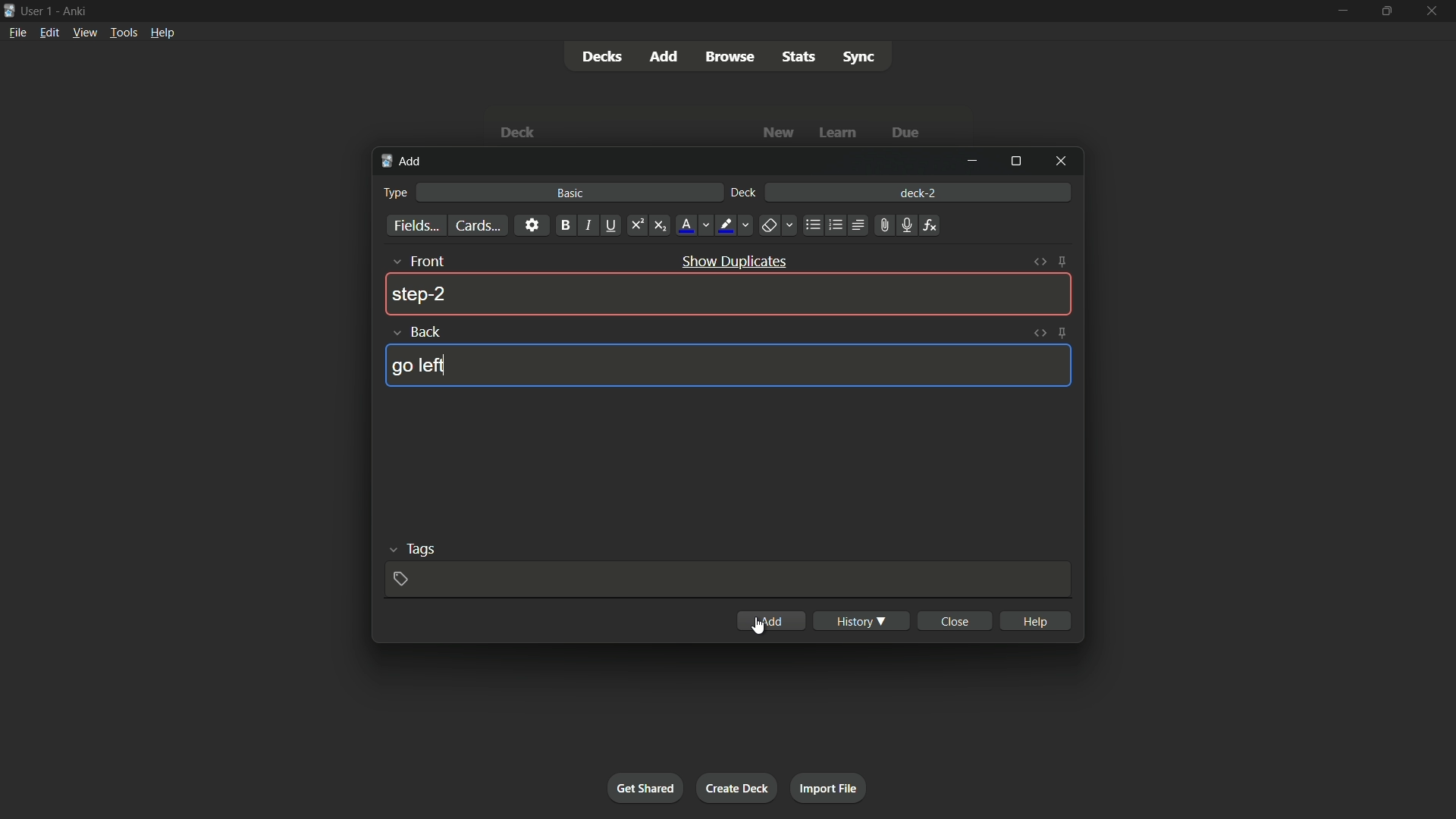  I want to click on underline, so click(612, 226).